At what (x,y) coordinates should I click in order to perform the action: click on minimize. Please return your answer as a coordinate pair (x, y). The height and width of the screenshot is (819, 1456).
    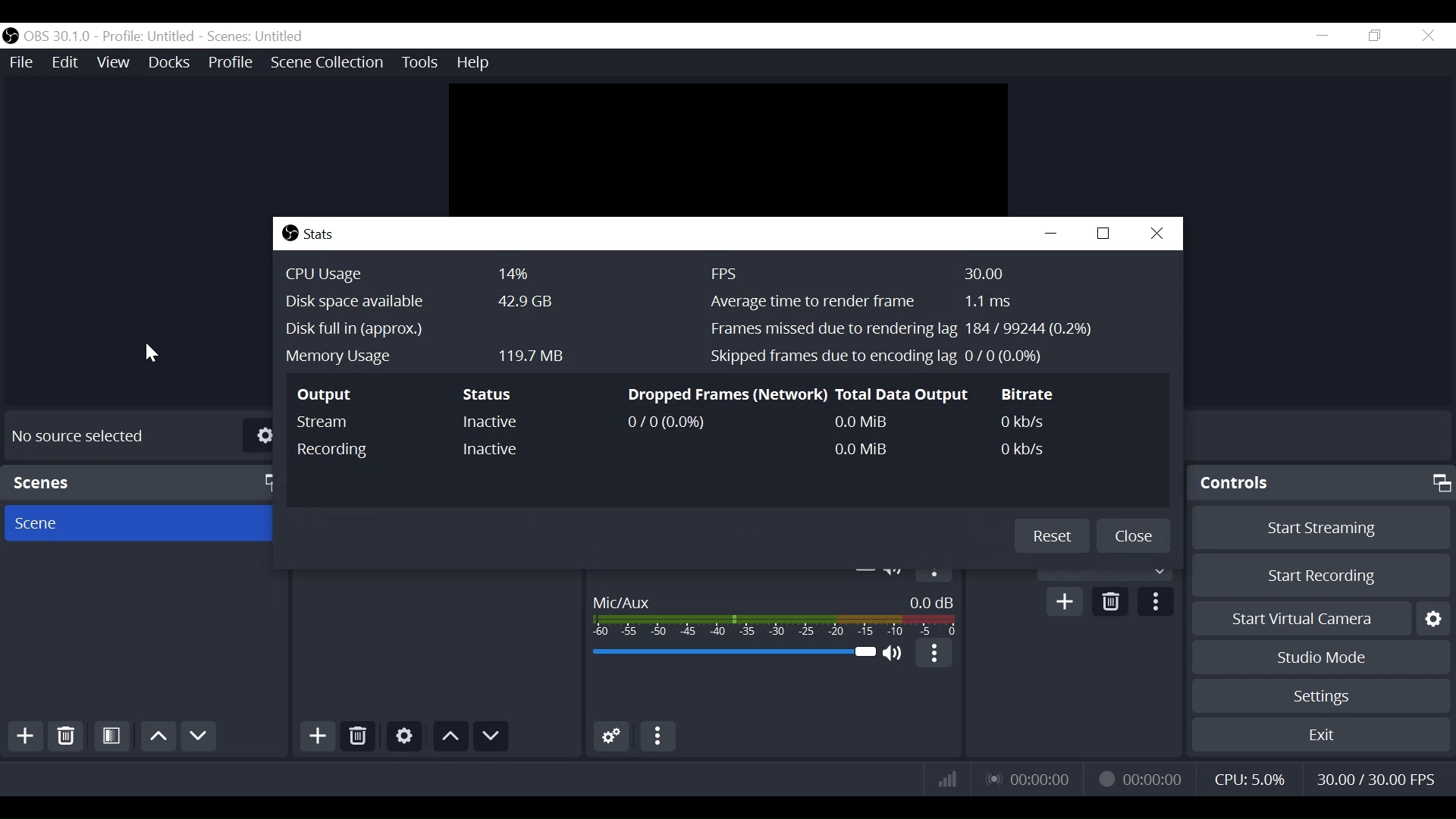
    Looking at the image, I should click on (1323, 36).